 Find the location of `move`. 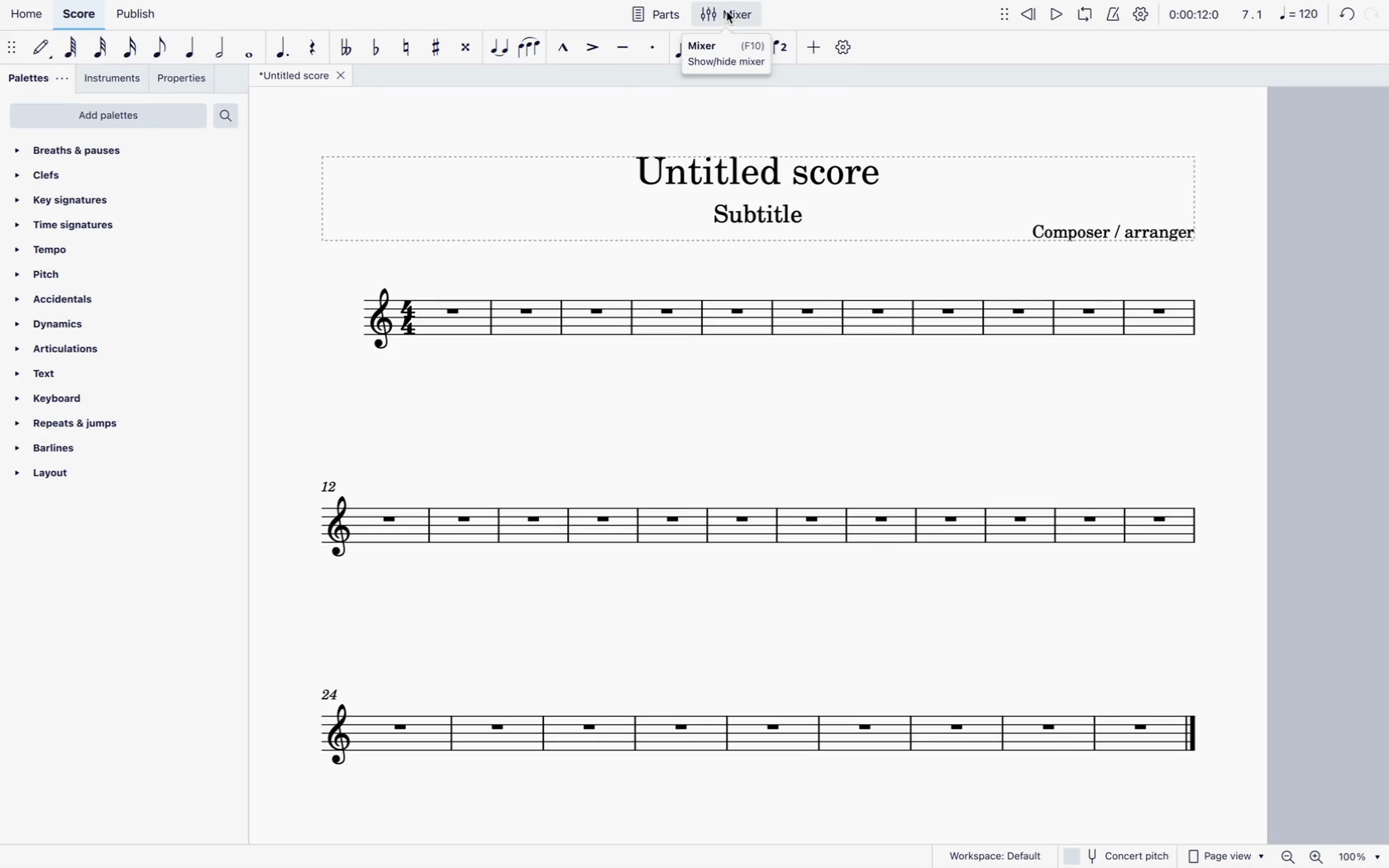

move is located at coordinates (1005, 18).